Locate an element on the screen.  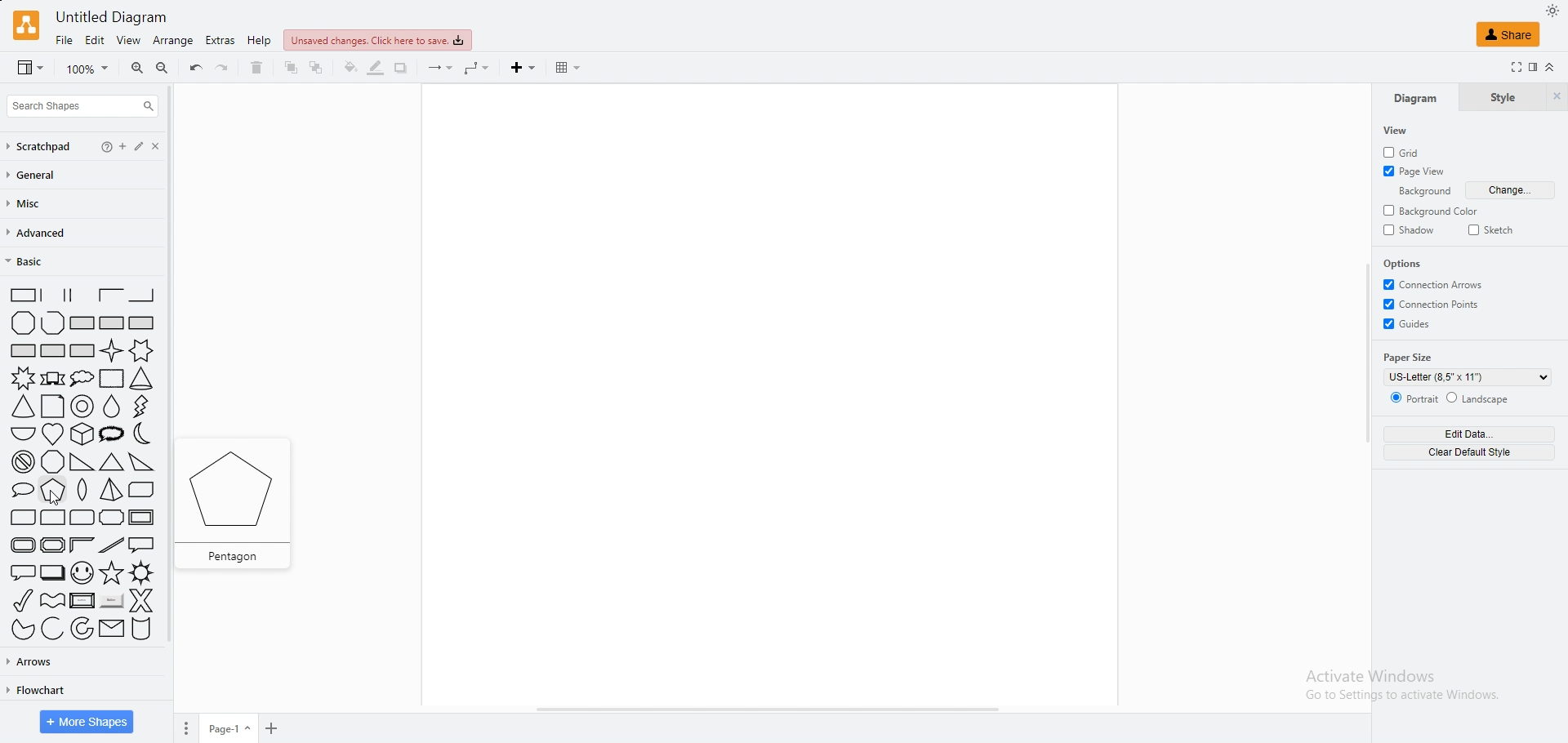
style is located at coordinates (1501, 98).